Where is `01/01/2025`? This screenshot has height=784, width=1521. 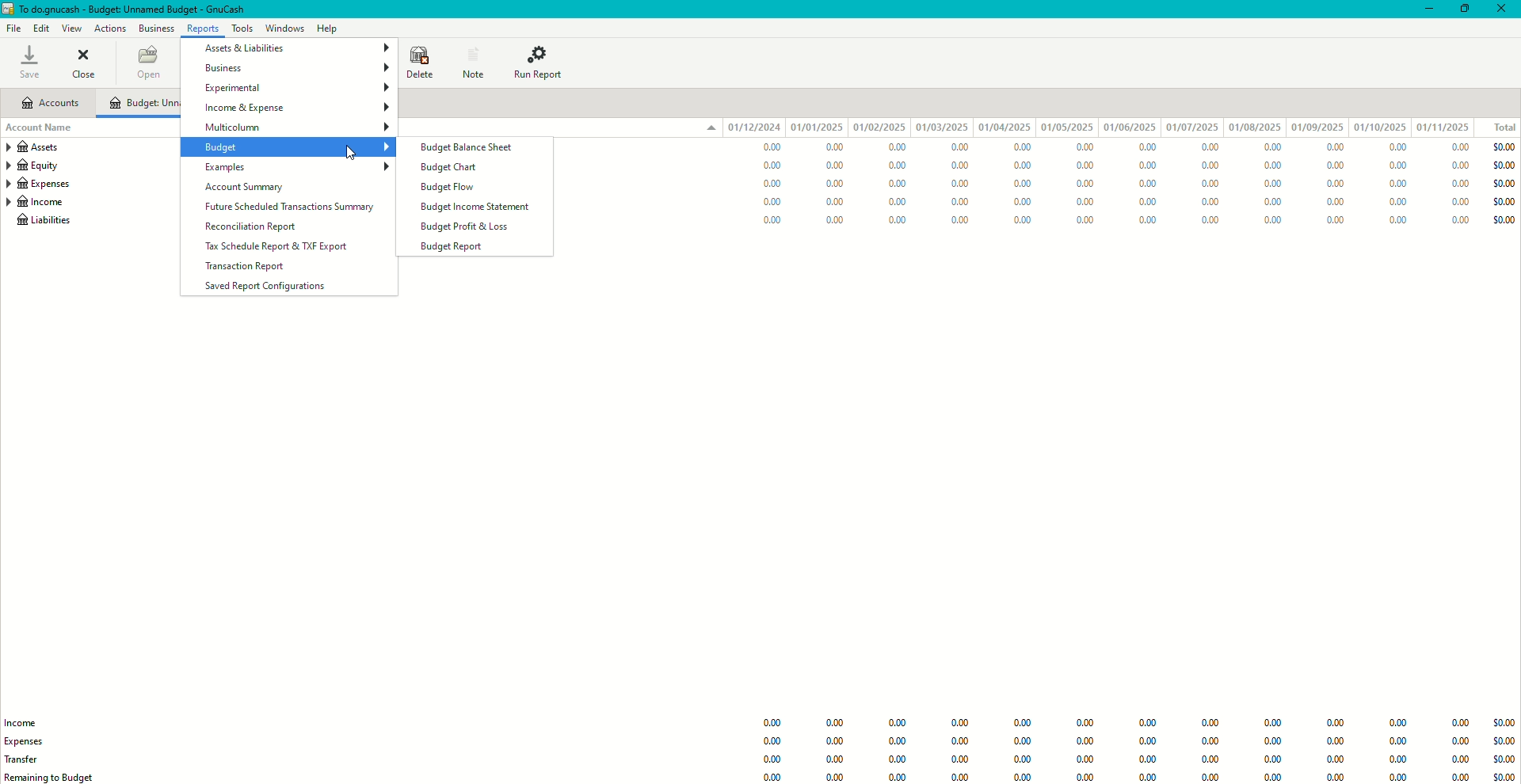
01/01/2025 is located at coordinates (818, 127).